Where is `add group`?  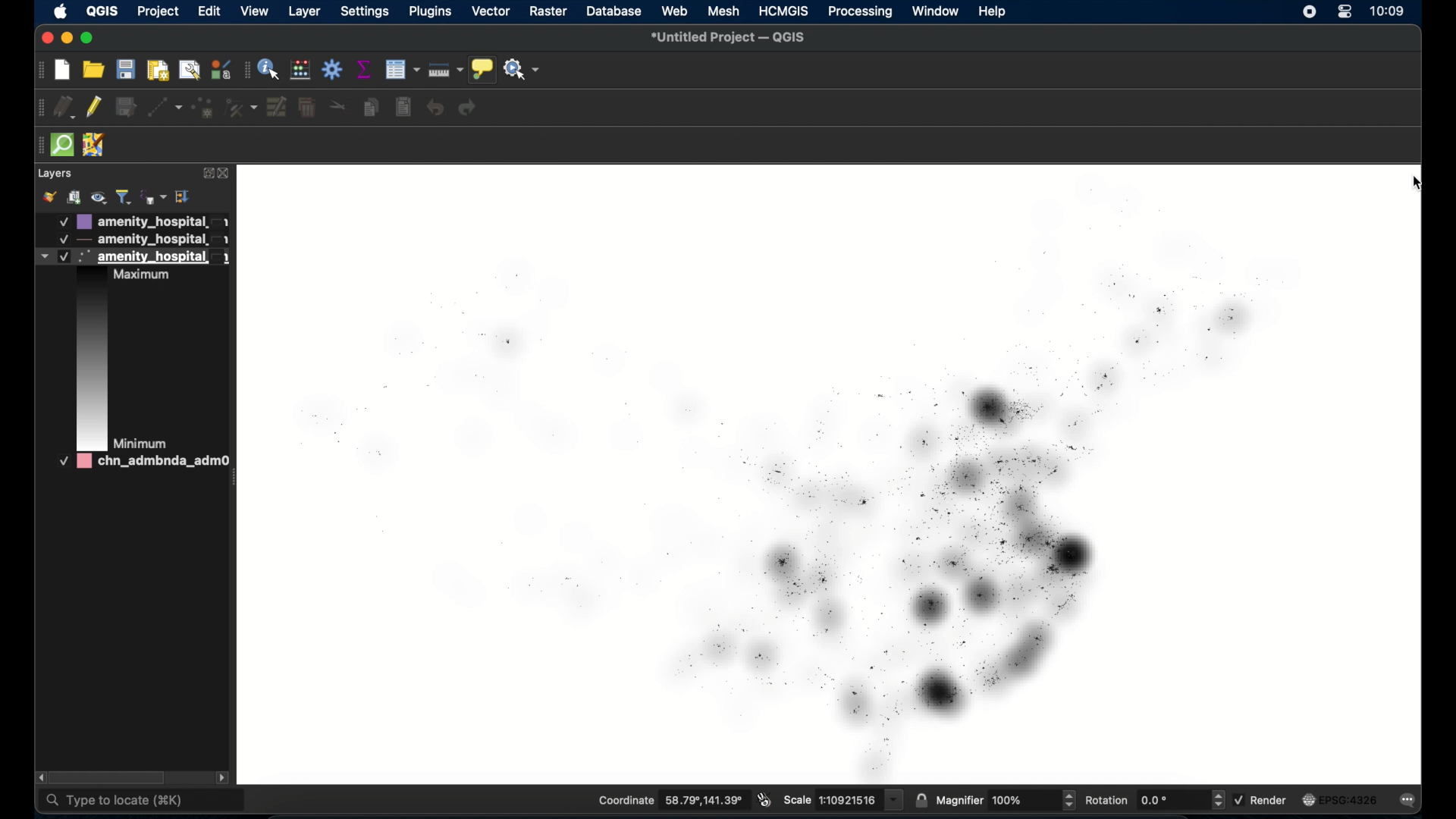
add group is located at coordinates (75, 198).